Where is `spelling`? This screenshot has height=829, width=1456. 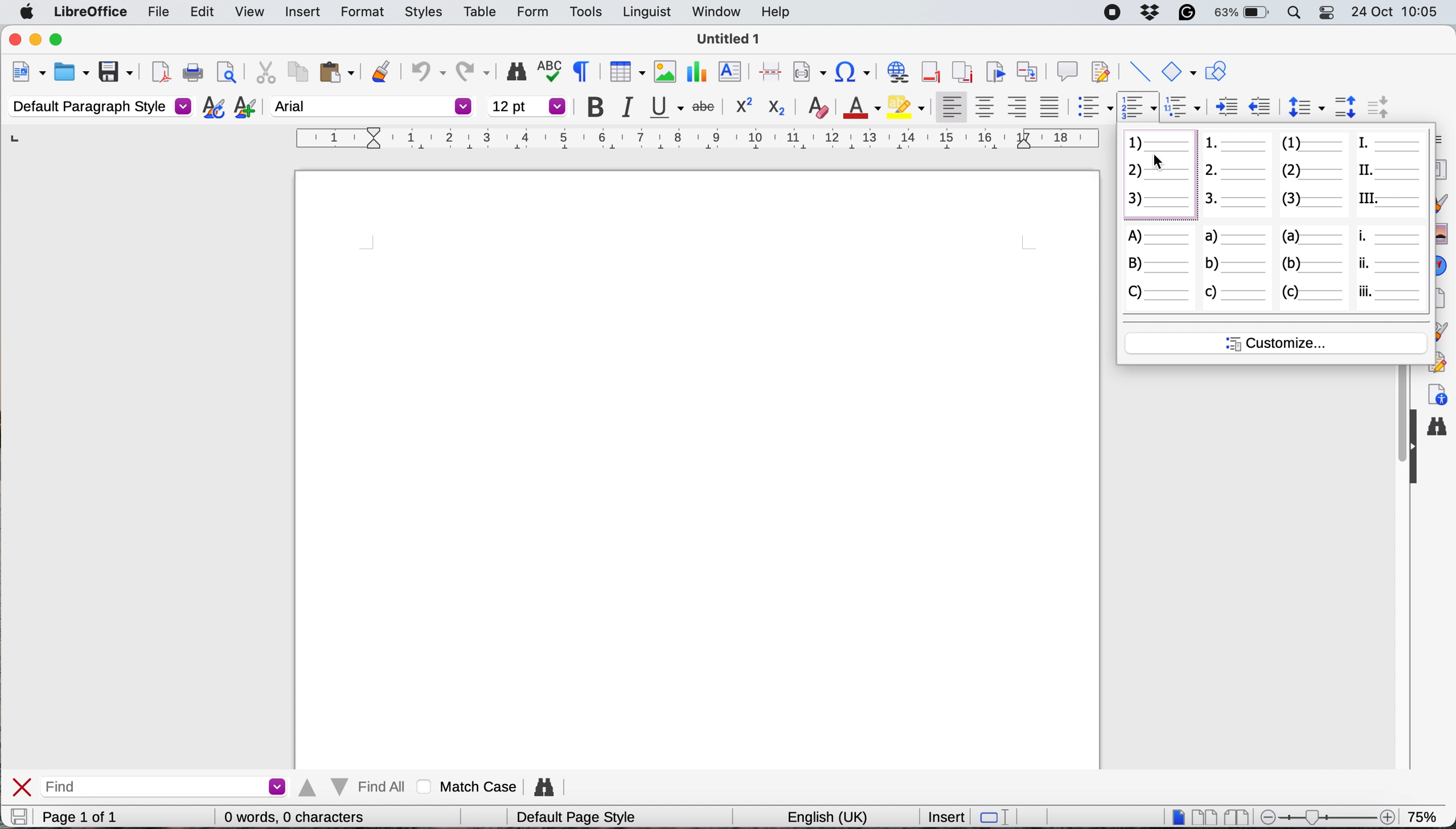 spelling is located at coordinates (553, 71).